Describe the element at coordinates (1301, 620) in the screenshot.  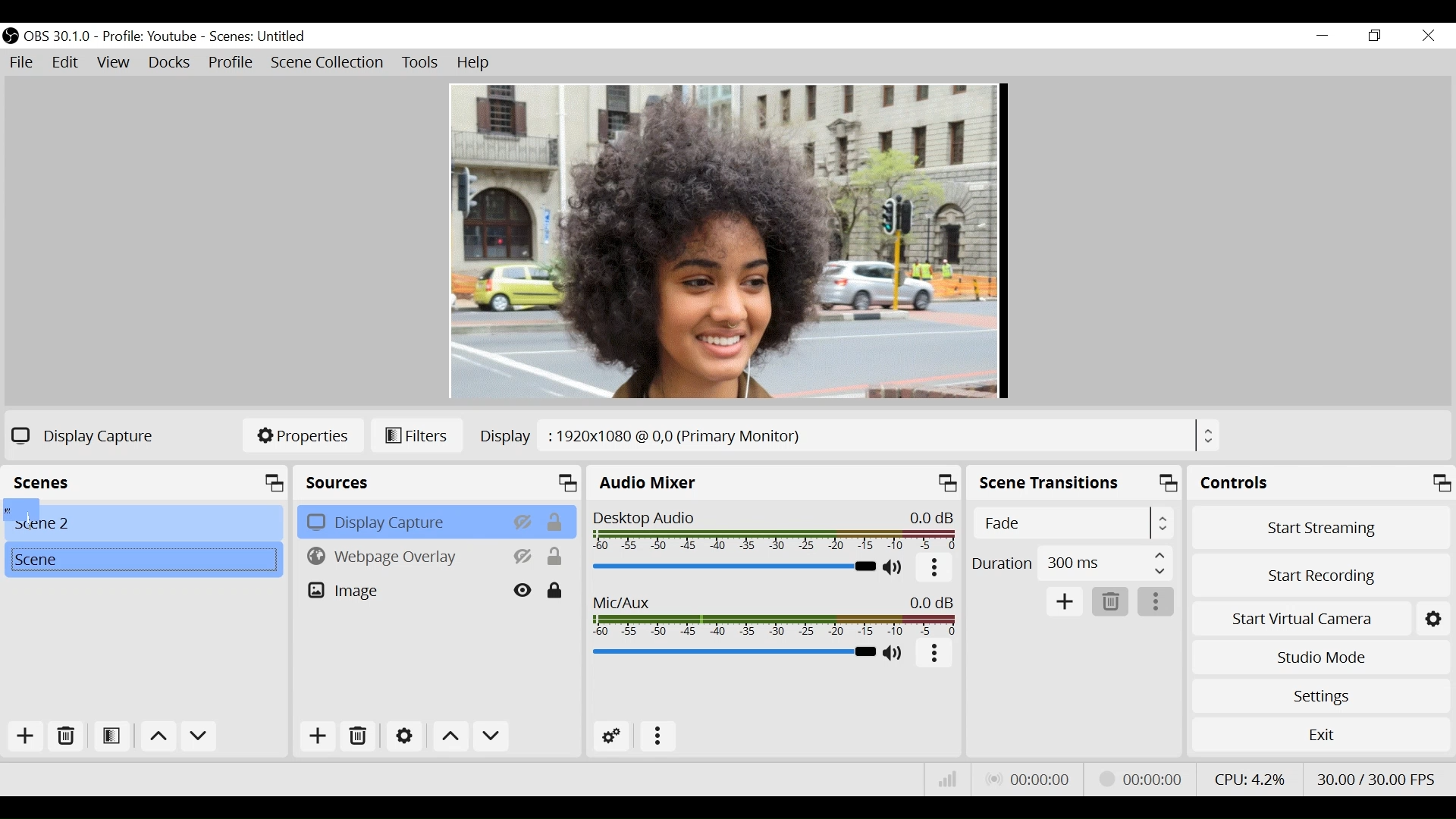
I see `Start Virtual Camera` at that location.